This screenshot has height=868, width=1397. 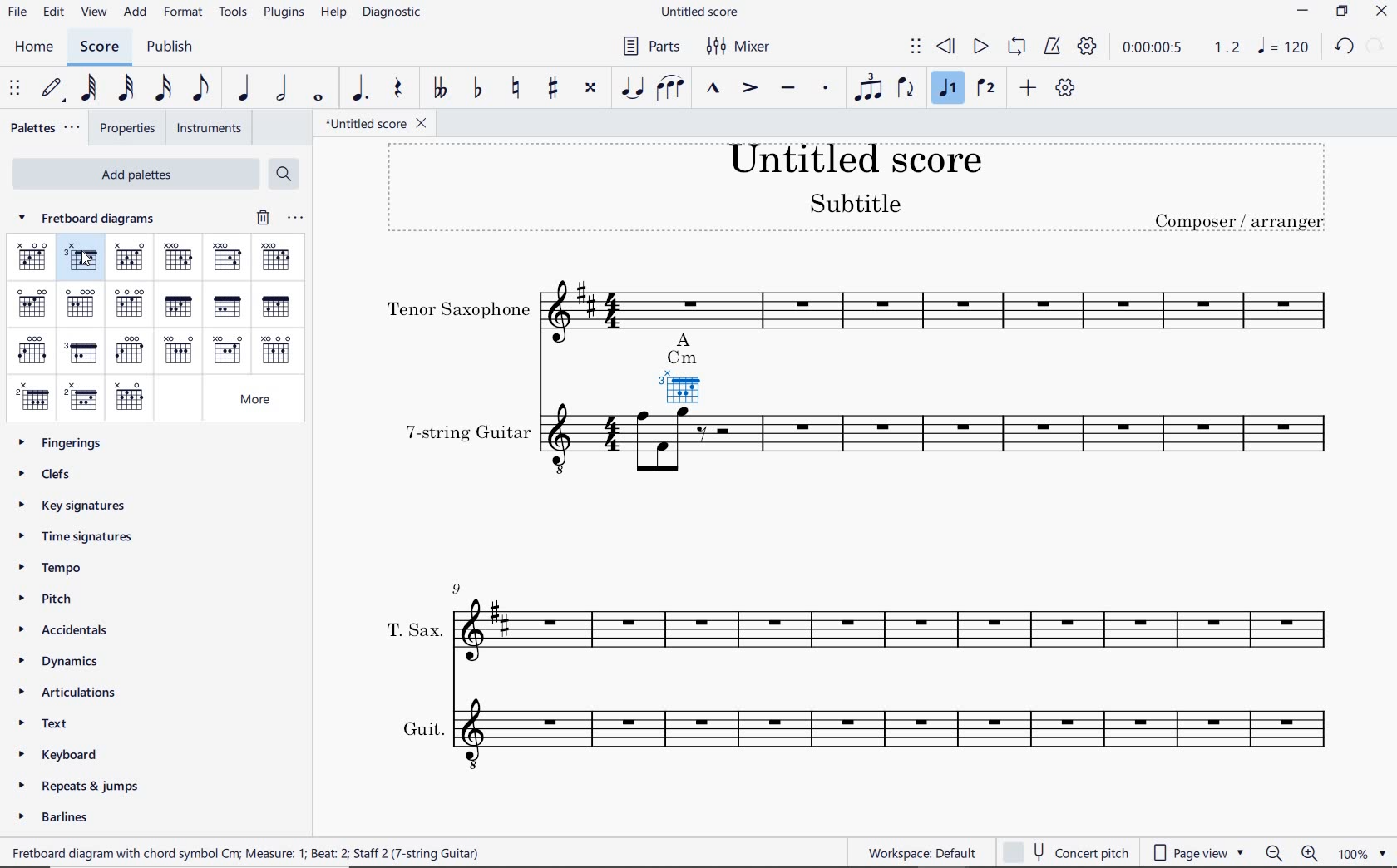 What do you see at coordinates (258, 401) in the screenshot?
I see `MORE` at bounding box center [258, 401].